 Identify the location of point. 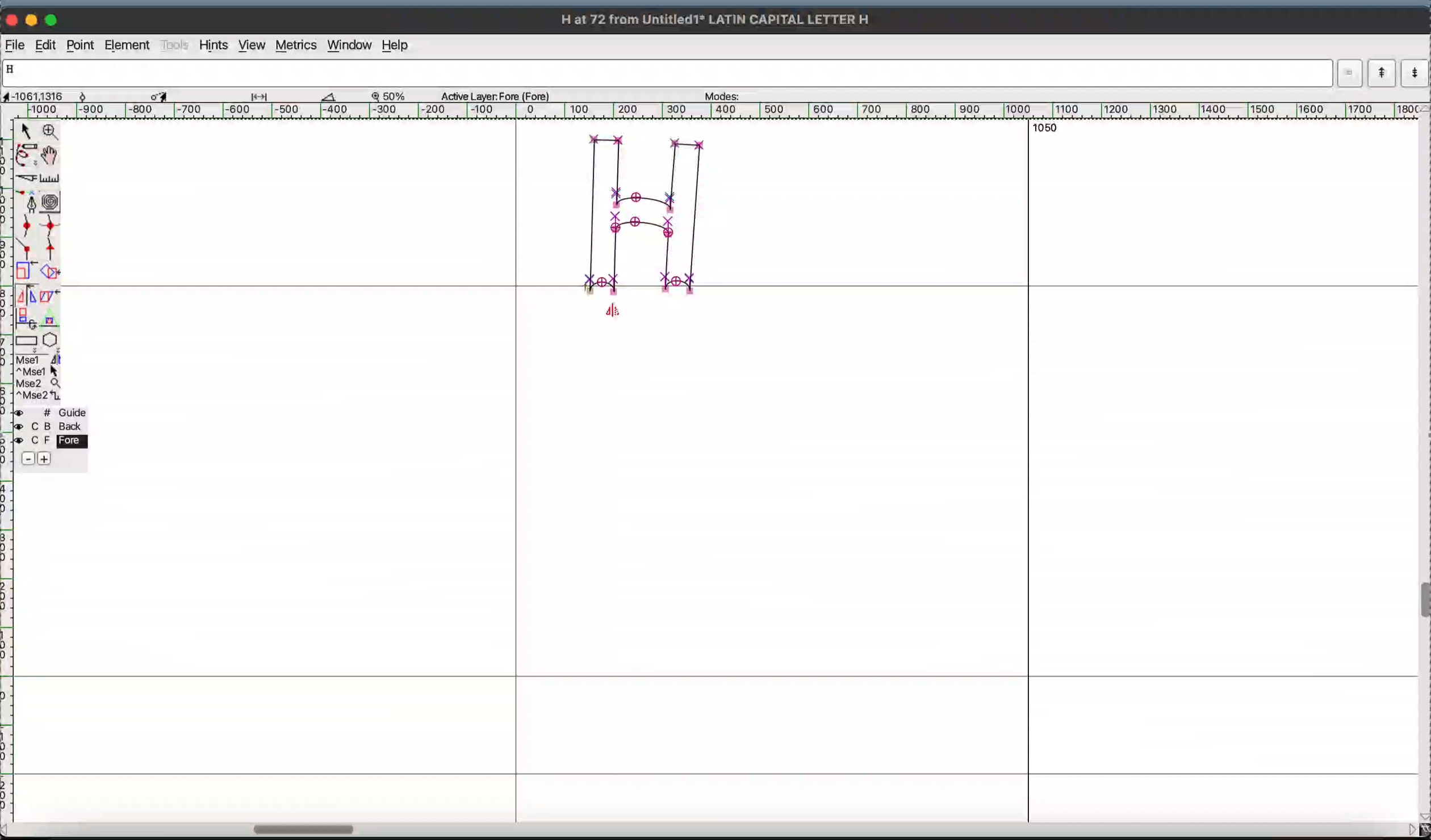
(26, 130).